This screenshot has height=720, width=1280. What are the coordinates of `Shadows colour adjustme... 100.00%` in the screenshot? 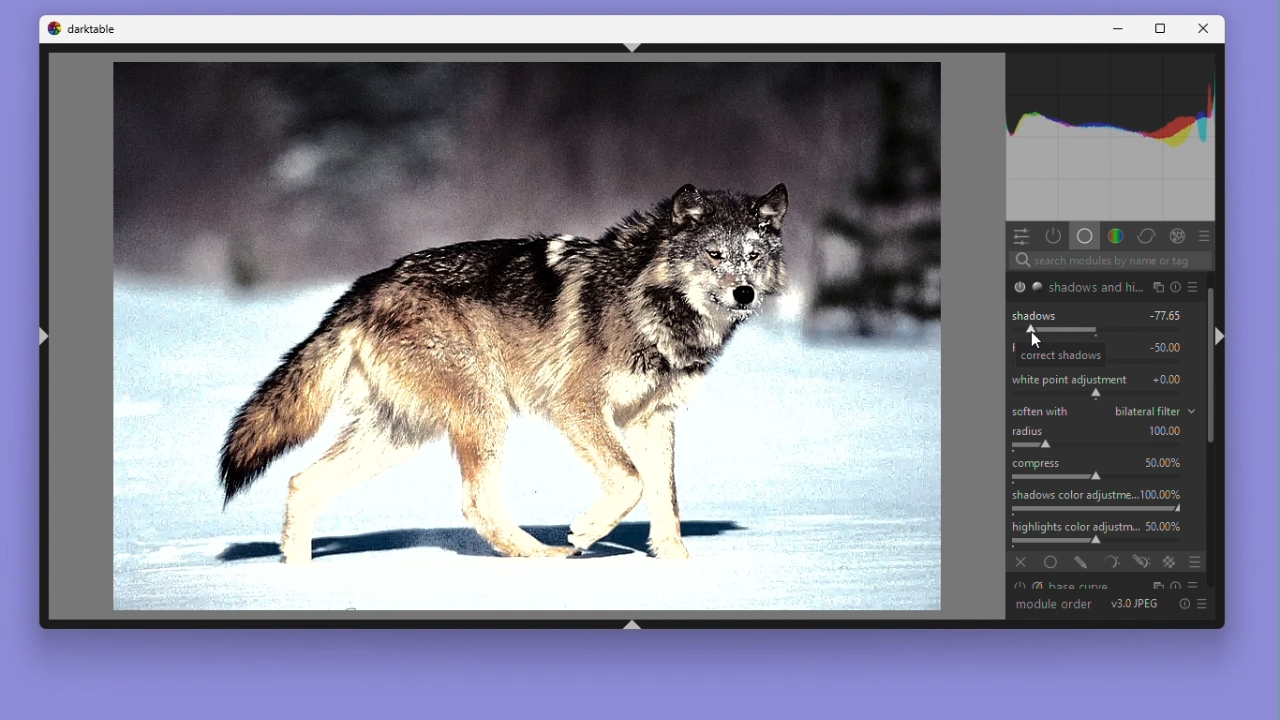 It's located at (1098, 495).